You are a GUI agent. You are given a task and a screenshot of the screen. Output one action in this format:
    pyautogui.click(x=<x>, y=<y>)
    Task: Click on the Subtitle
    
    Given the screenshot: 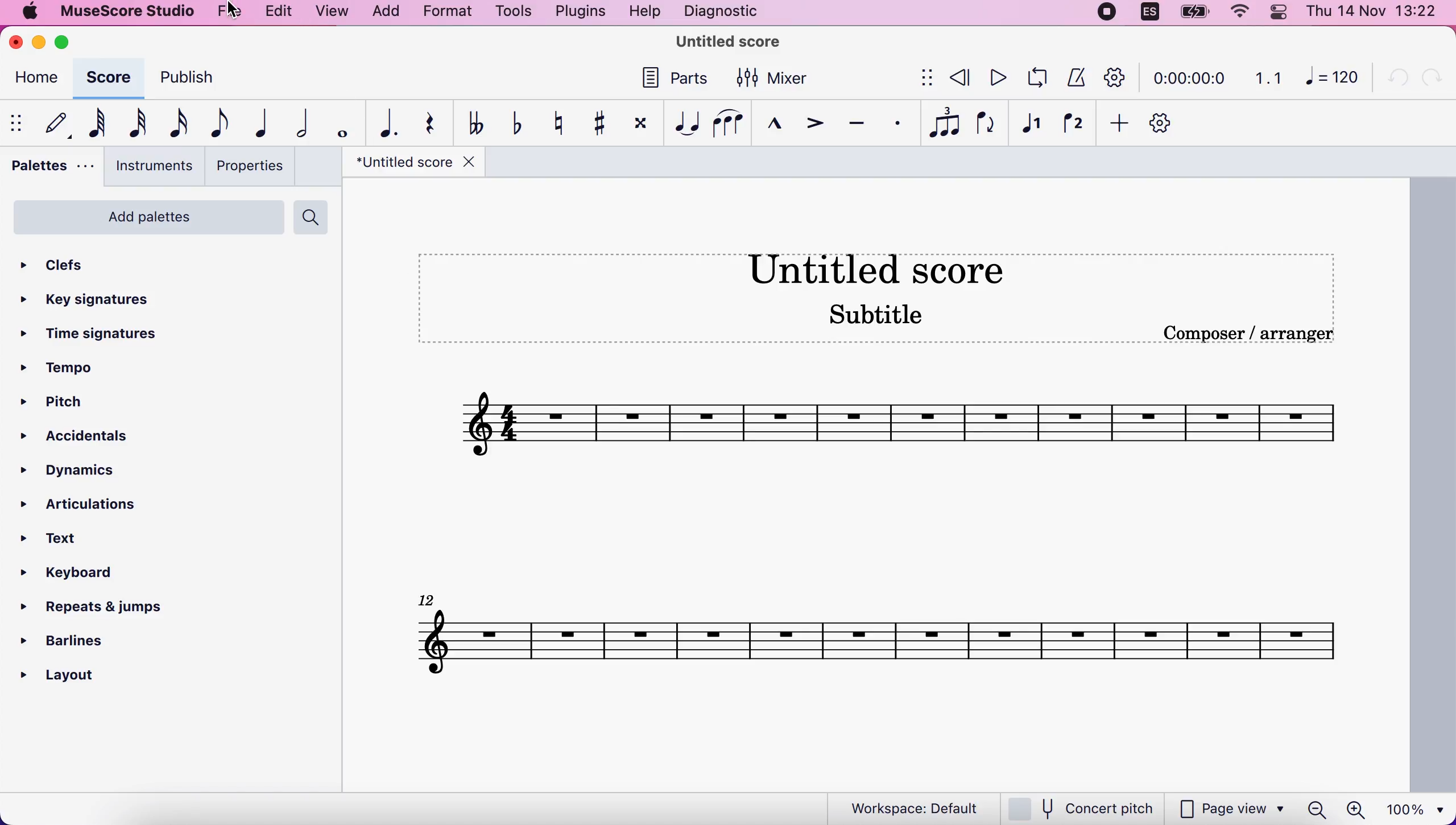 What is the action you would take?
    pyautogui.click(x=876, y=313)
    